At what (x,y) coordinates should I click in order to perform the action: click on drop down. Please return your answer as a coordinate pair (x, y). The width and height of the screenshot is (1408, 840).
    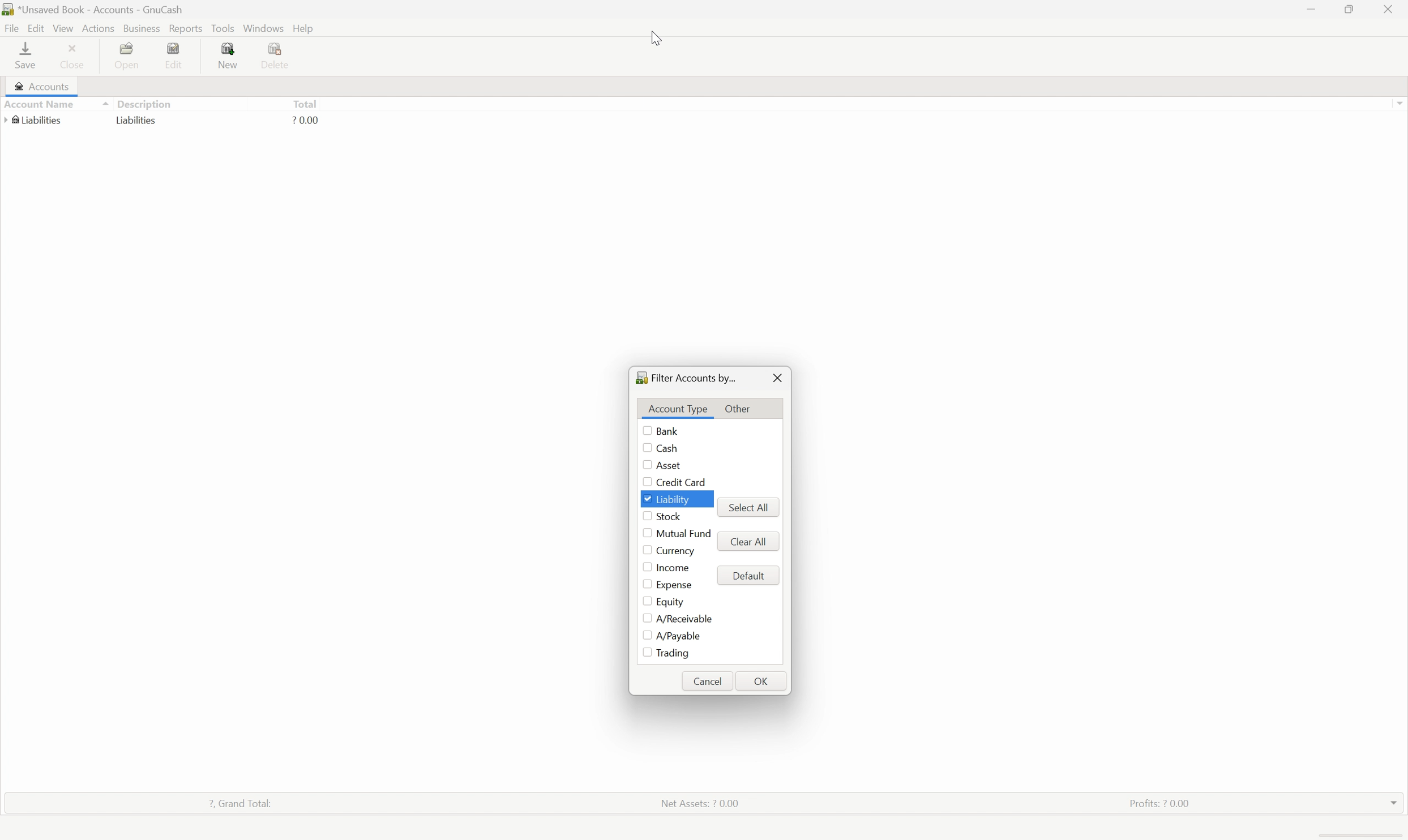
    Looking at the image, I should click on (1390, 803).